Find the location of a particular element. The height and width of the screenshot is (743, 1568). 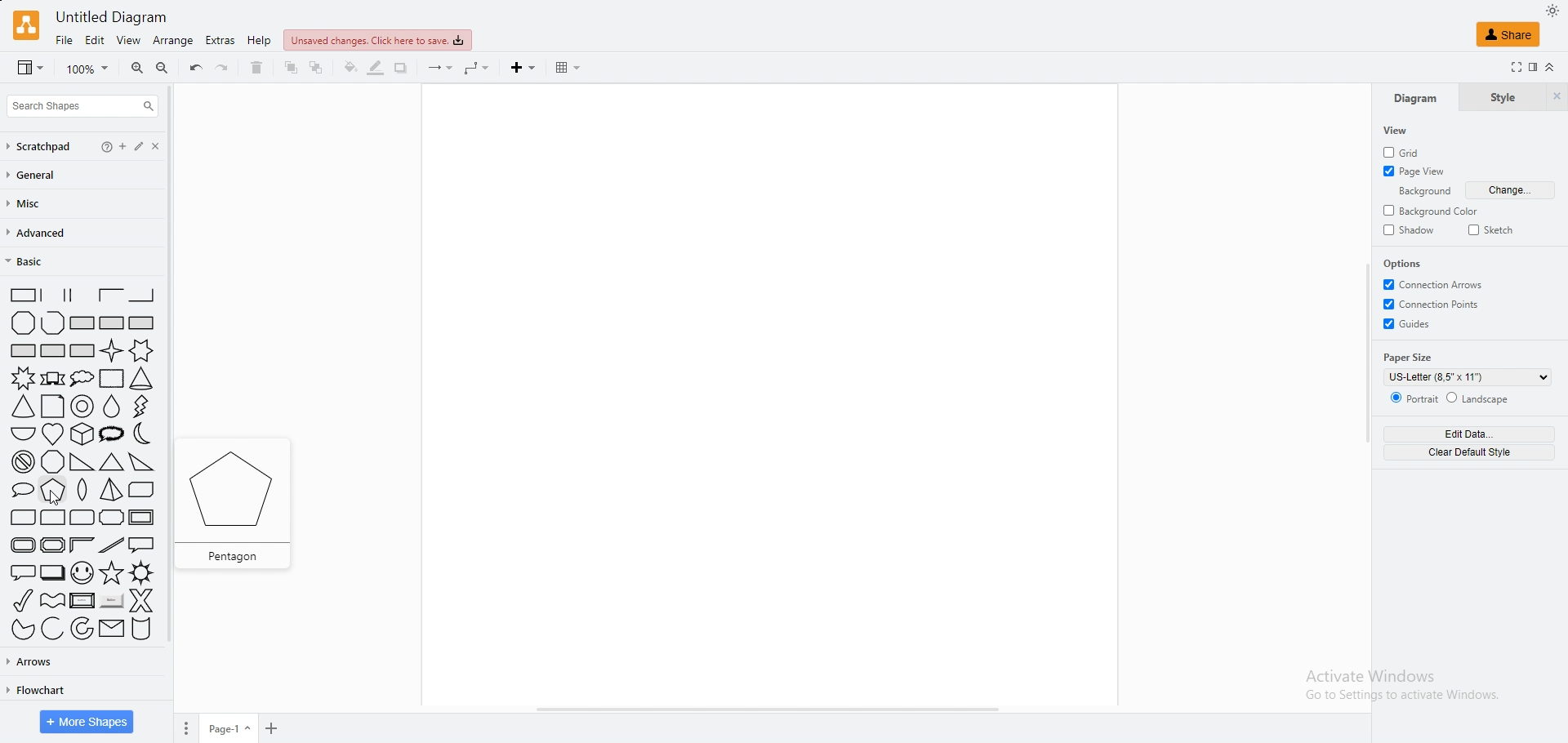

waypoint is located at coordinates (477, 69).